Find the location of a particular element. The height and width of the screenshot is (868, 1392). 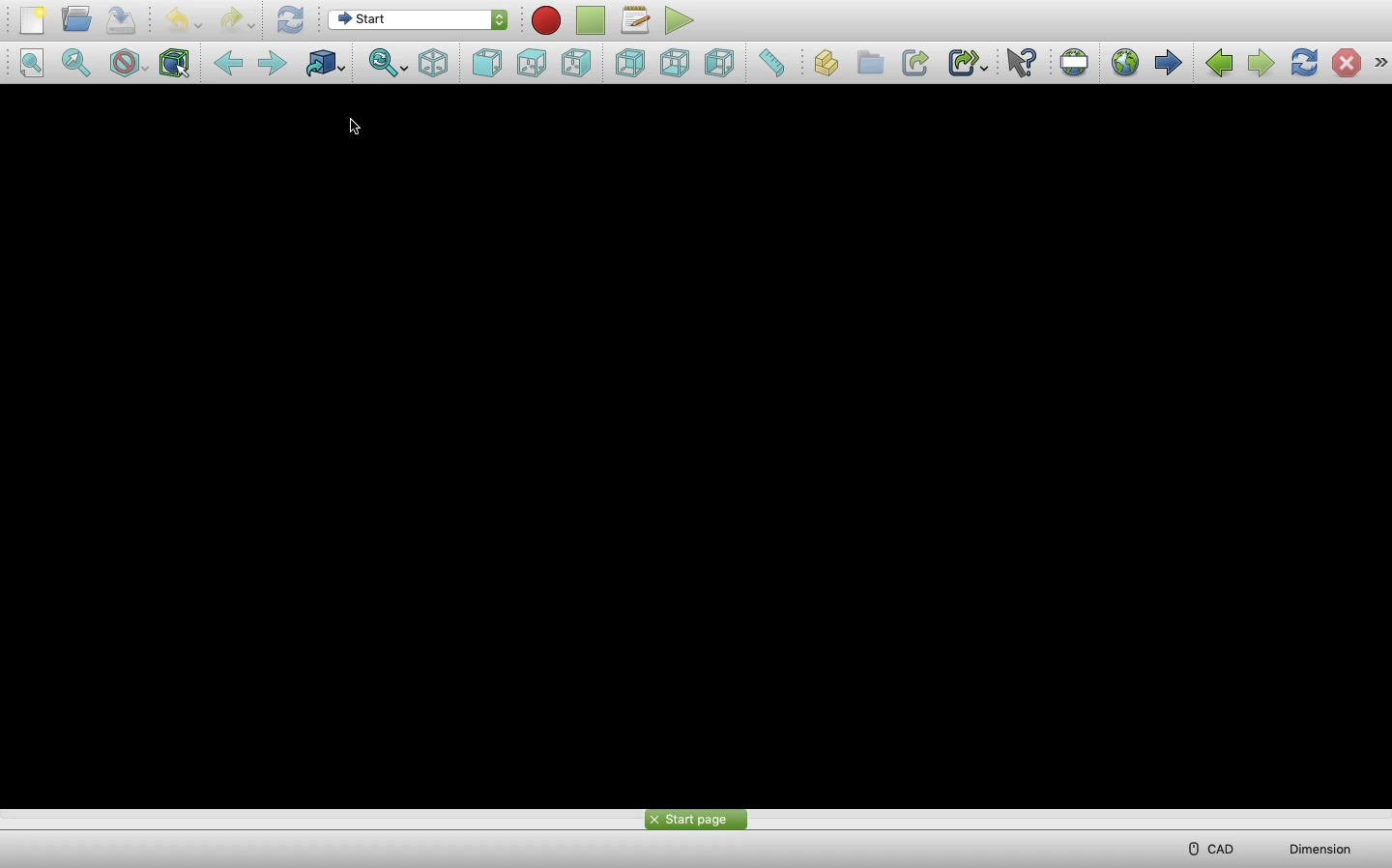

Draw Style is located at coordinates (129, 64).